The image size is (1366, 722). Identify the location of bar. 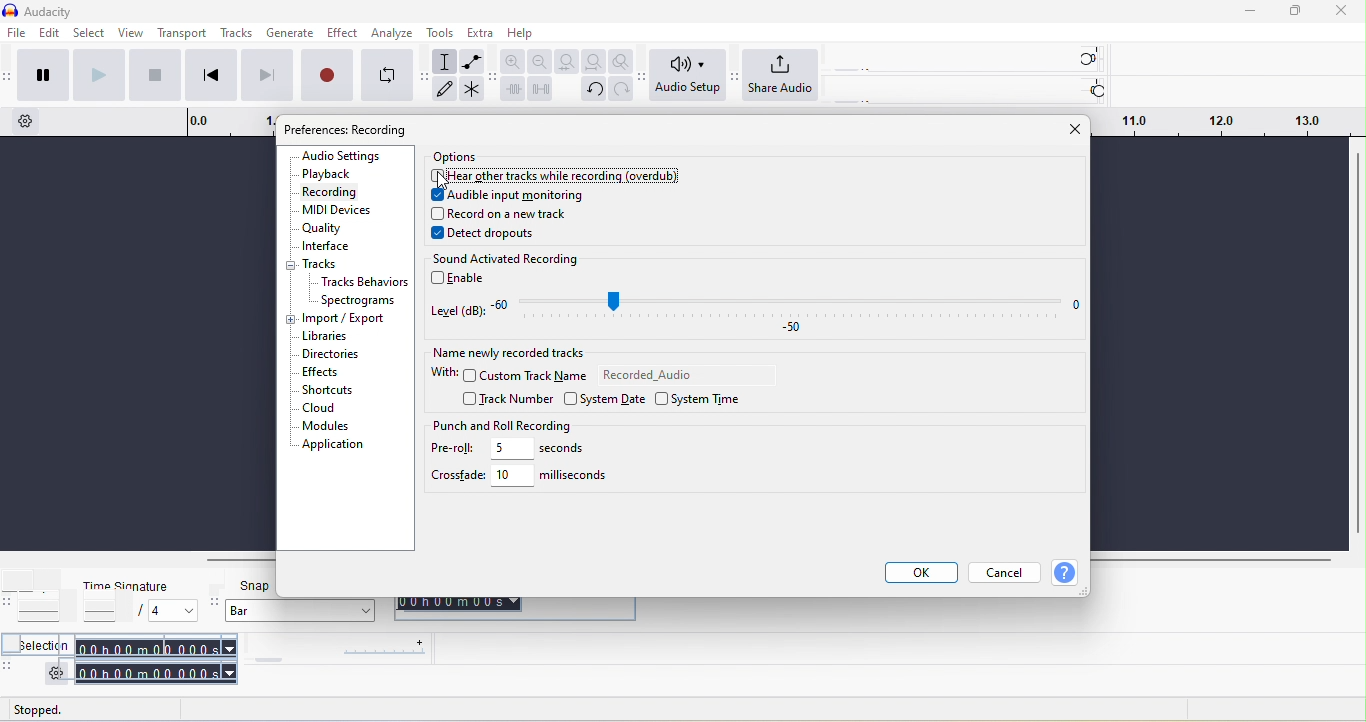
(307, 613).